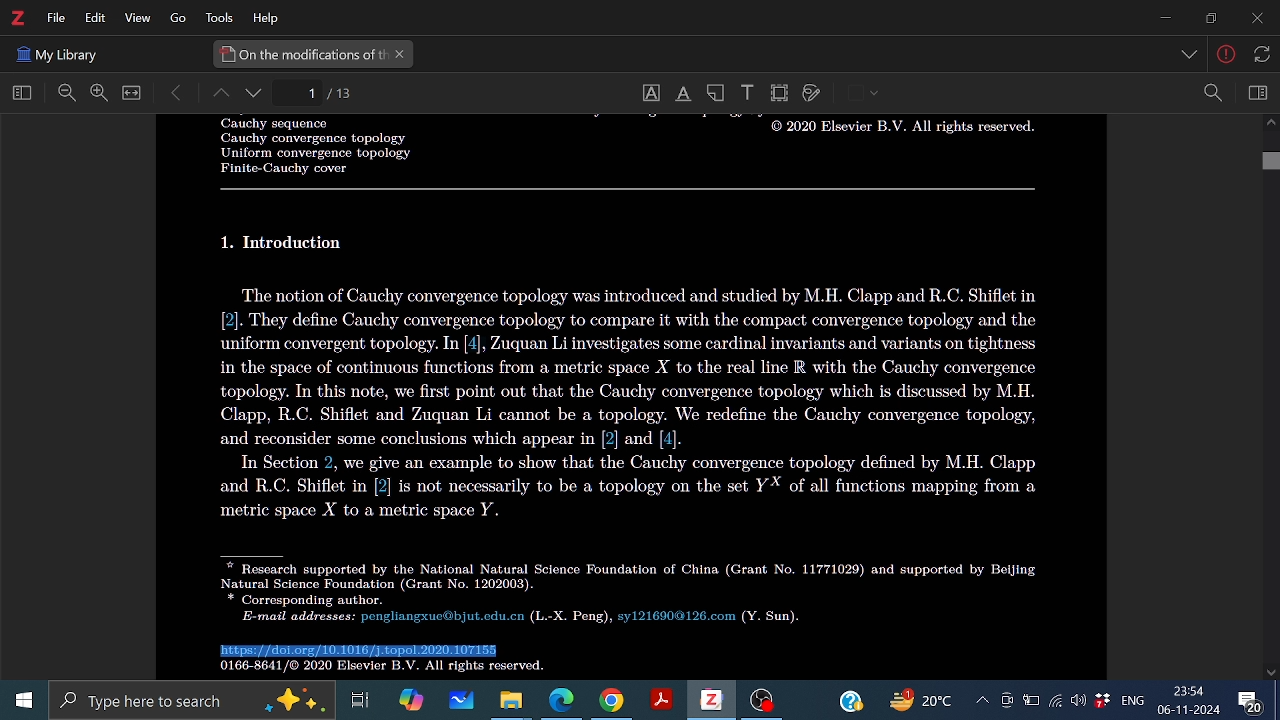 This screenshot has height=720, width=1280. Describe the element at coordinates (98, 93) in the screenshot. I see `Zoom in` at that location.